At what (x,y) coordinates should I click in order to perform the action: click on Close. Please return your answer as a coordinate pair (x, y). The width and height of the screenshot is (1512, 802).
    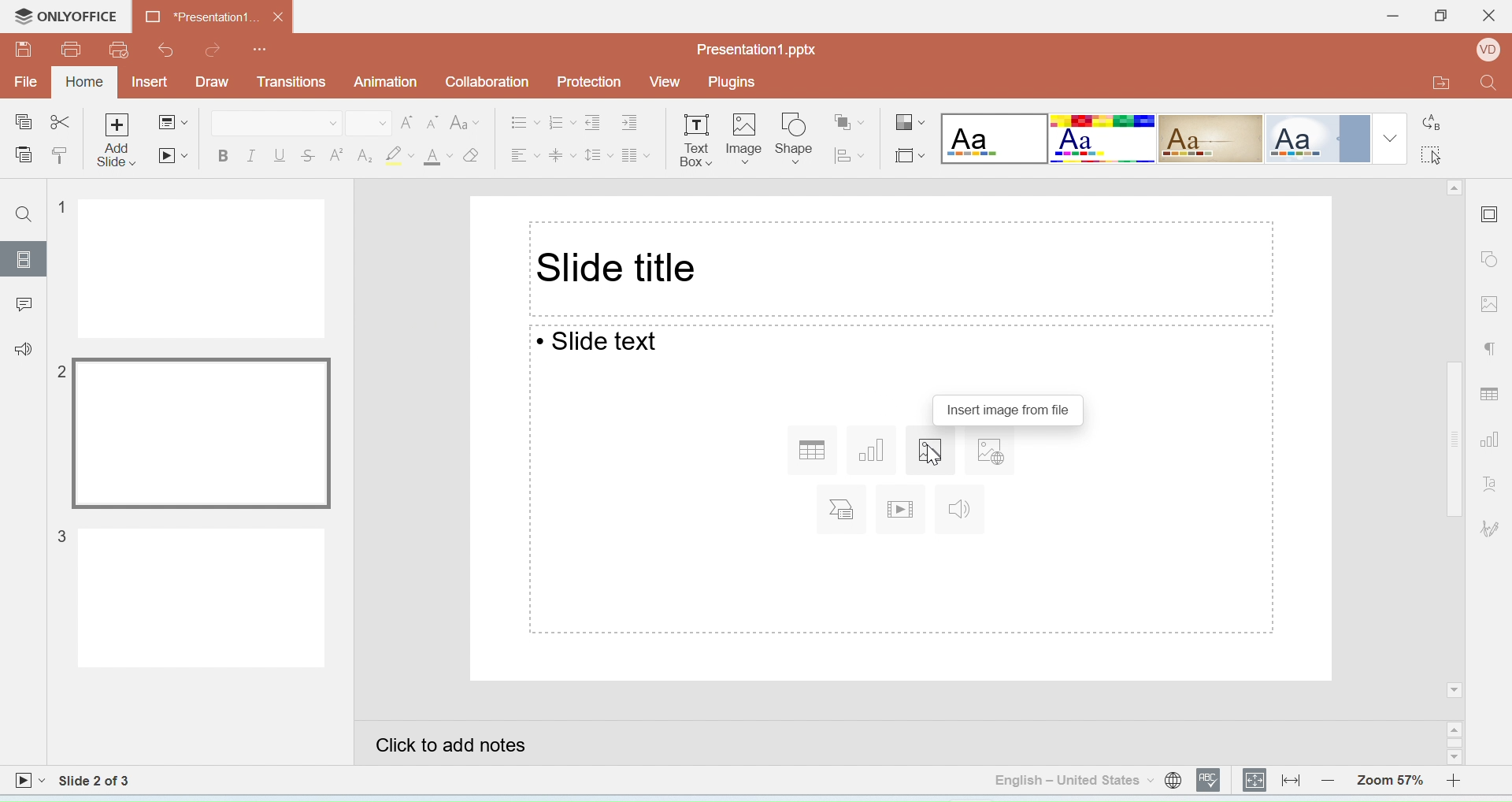
    Looking at the image, I should click on (1488, 20).